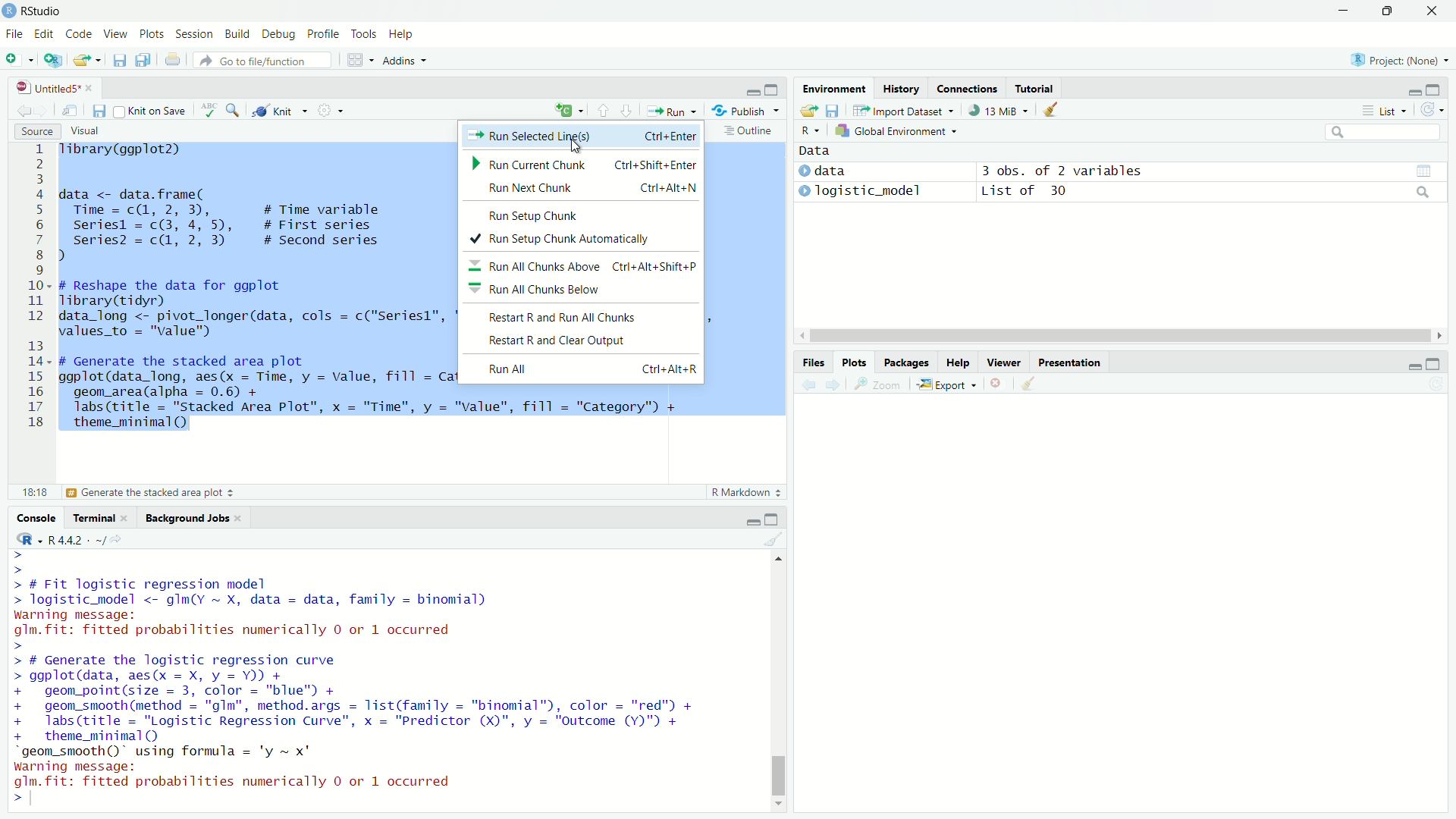  Describe the element at coordinates (93, 130) in the screenshot. I see `Visual` at that location.